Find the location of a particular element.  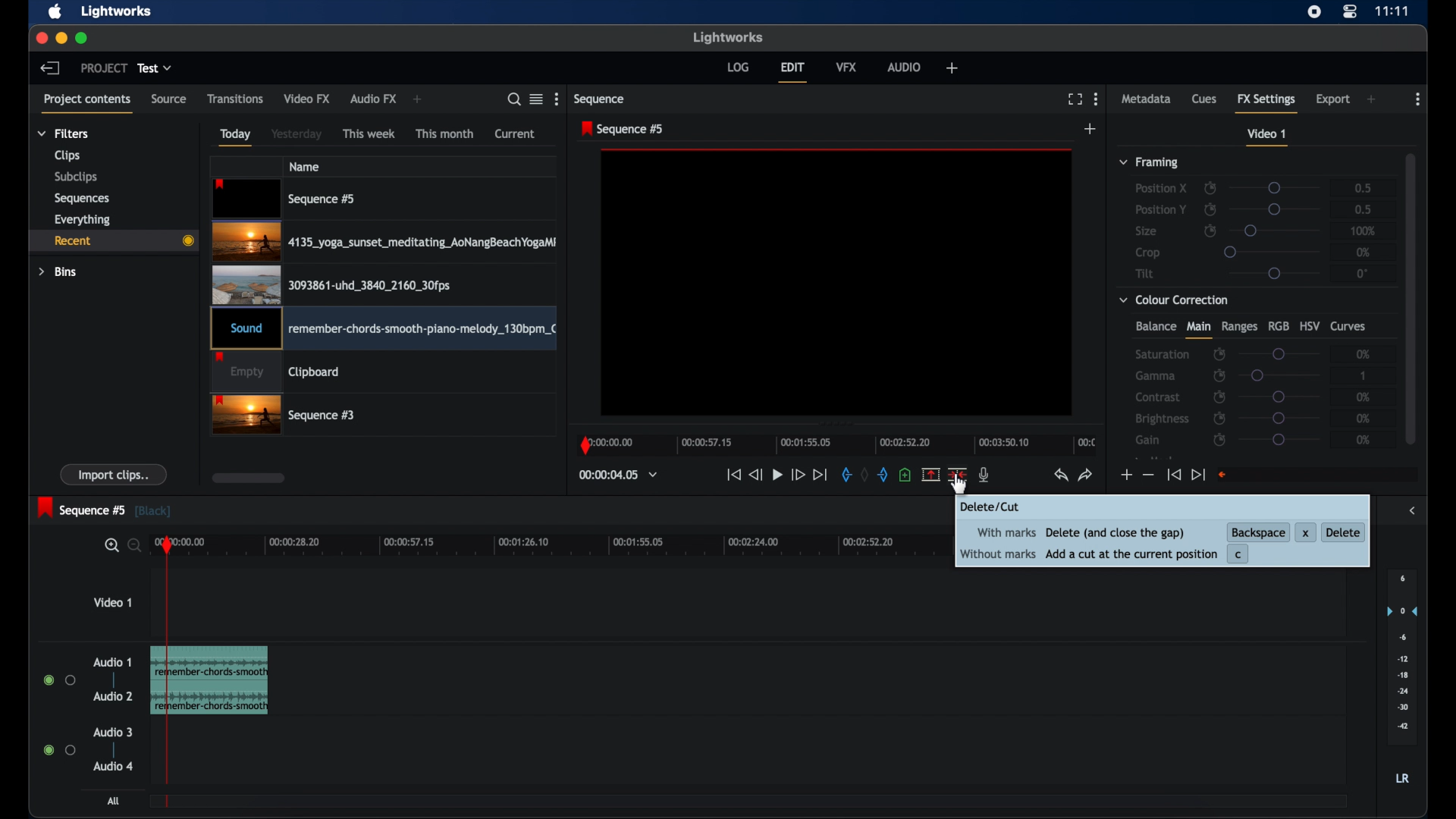

decrement is located at coordinates (1148, 474).